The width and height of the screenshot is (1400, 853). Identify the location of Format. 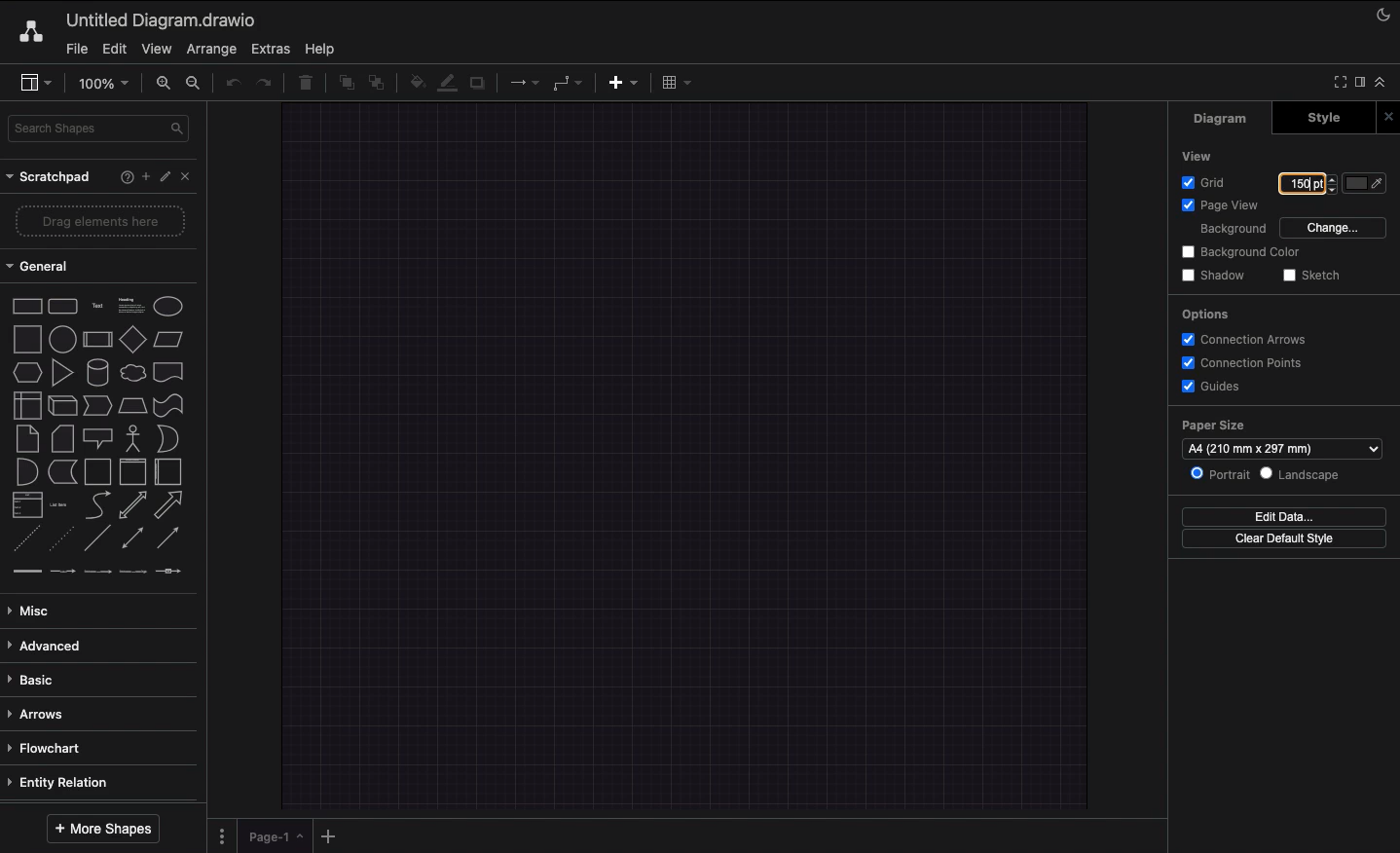
(1359, 82).